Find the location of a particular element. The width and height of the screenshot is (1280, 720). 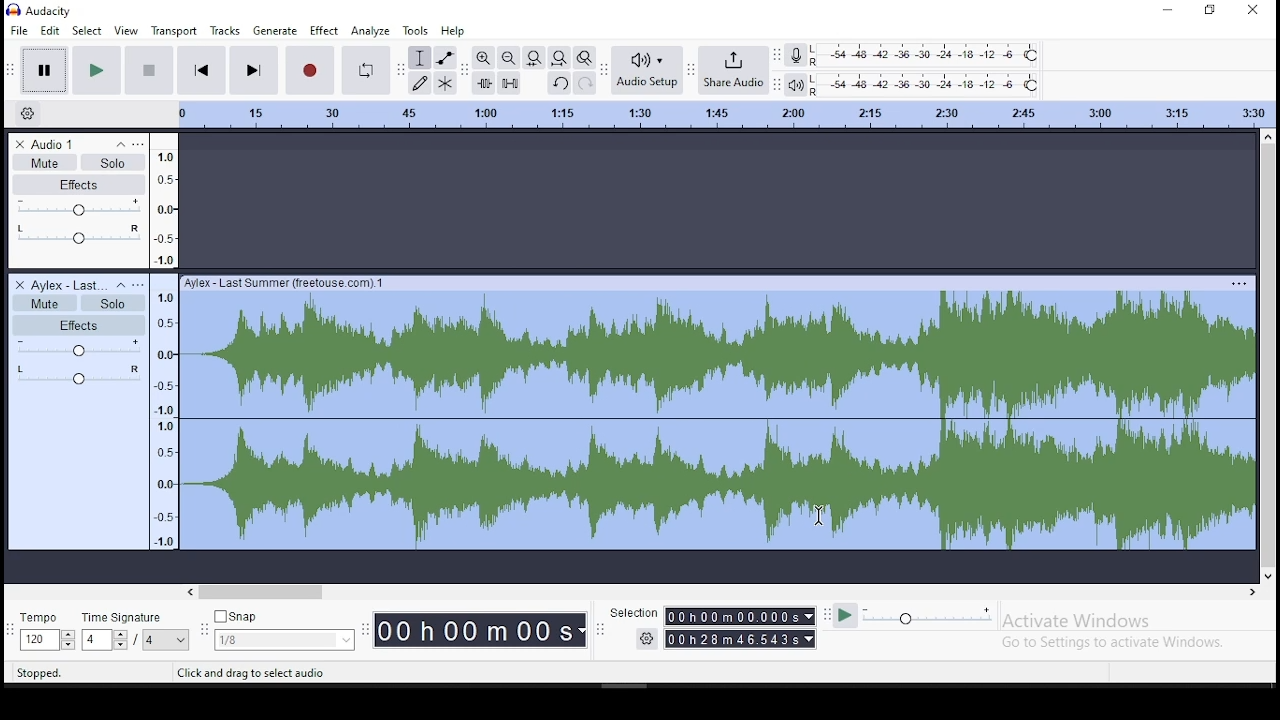

view is located at coordinates (127, 32).